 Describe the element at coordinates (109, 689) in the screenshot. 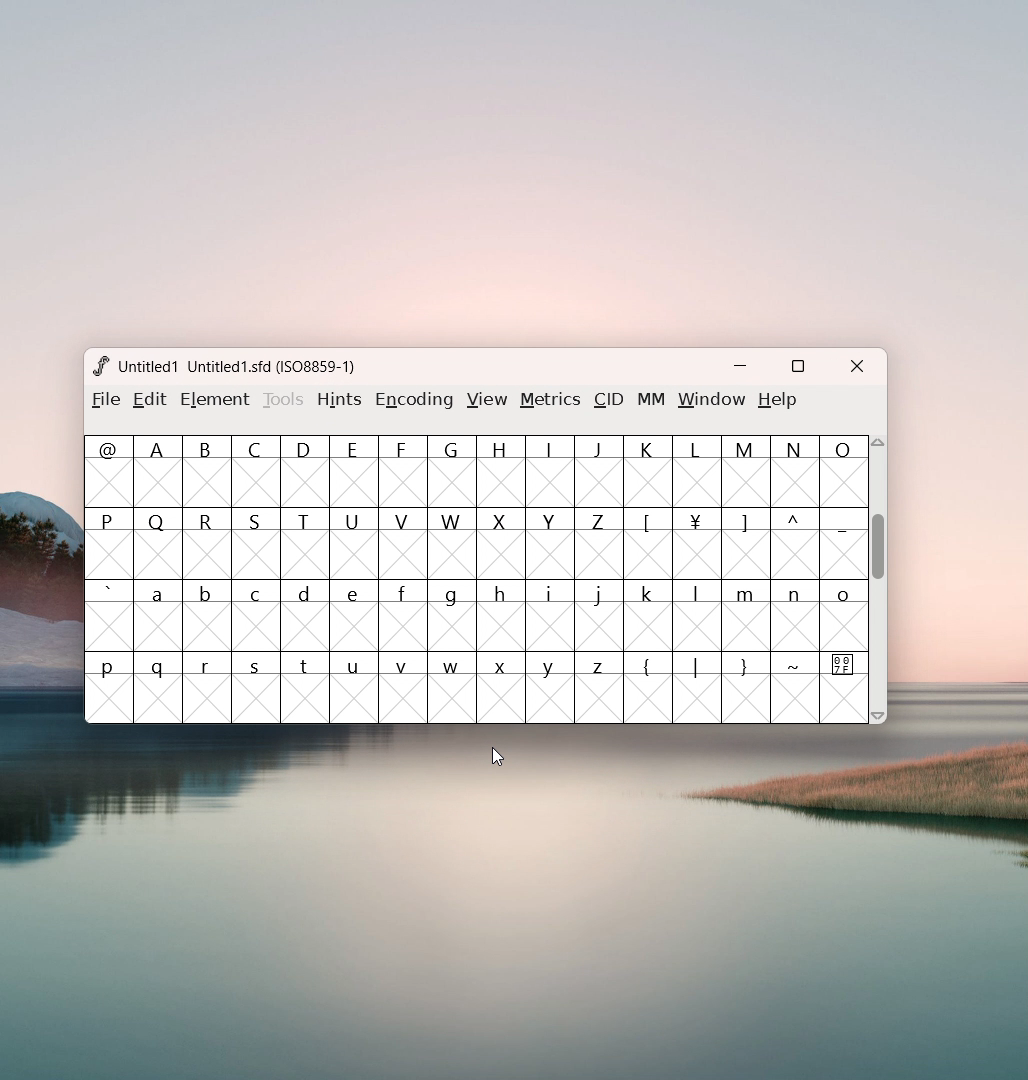

I see `p` at that location.